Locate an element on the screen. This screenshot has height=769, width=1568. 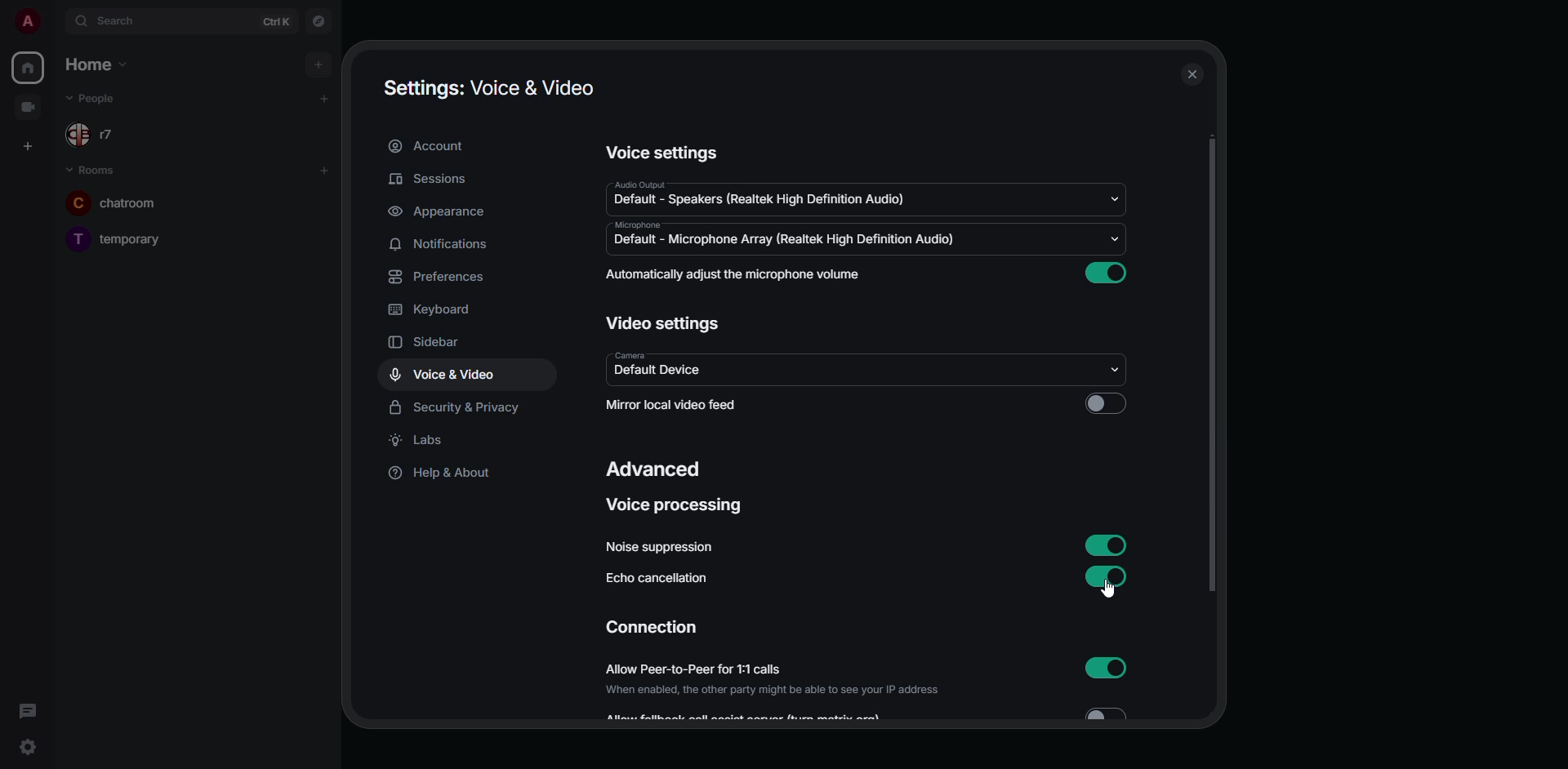
noise suppression is located at coordinates (662, 546).